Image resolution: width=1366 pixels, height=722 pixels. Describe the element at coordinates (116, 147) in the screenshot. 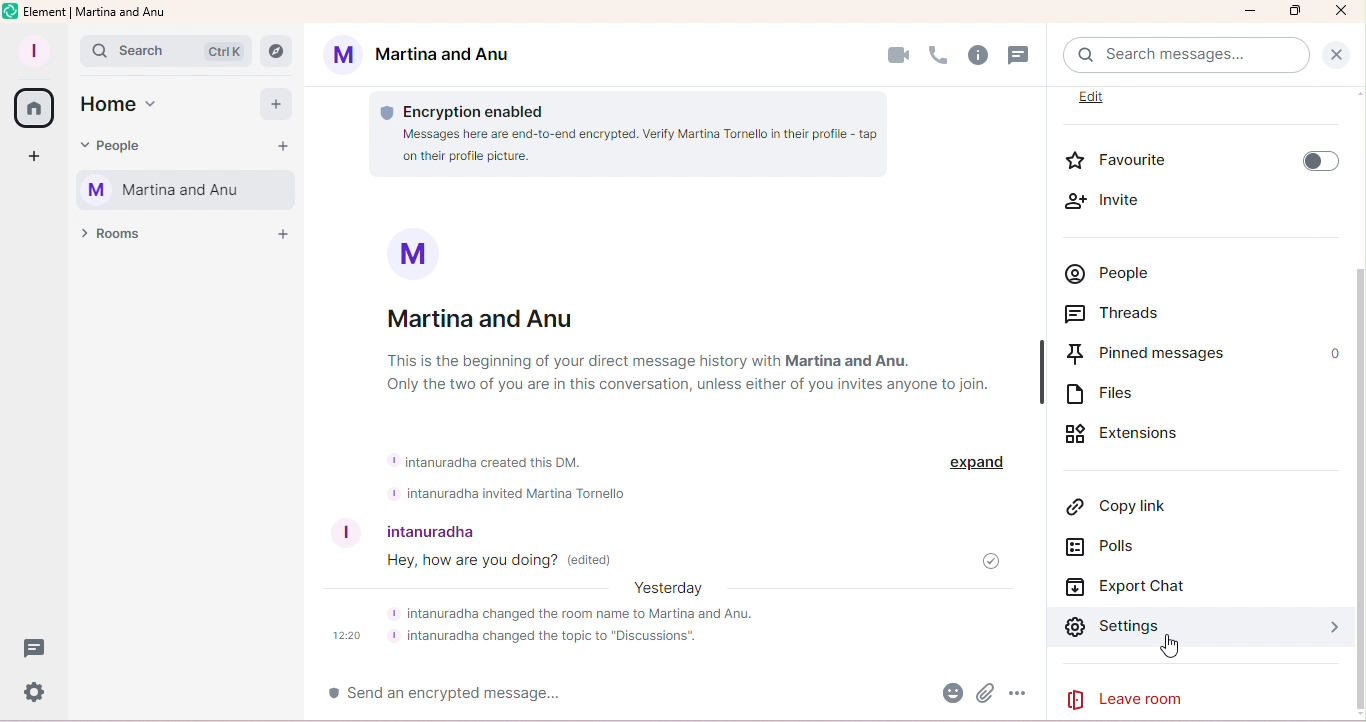

I see `People` at that location.